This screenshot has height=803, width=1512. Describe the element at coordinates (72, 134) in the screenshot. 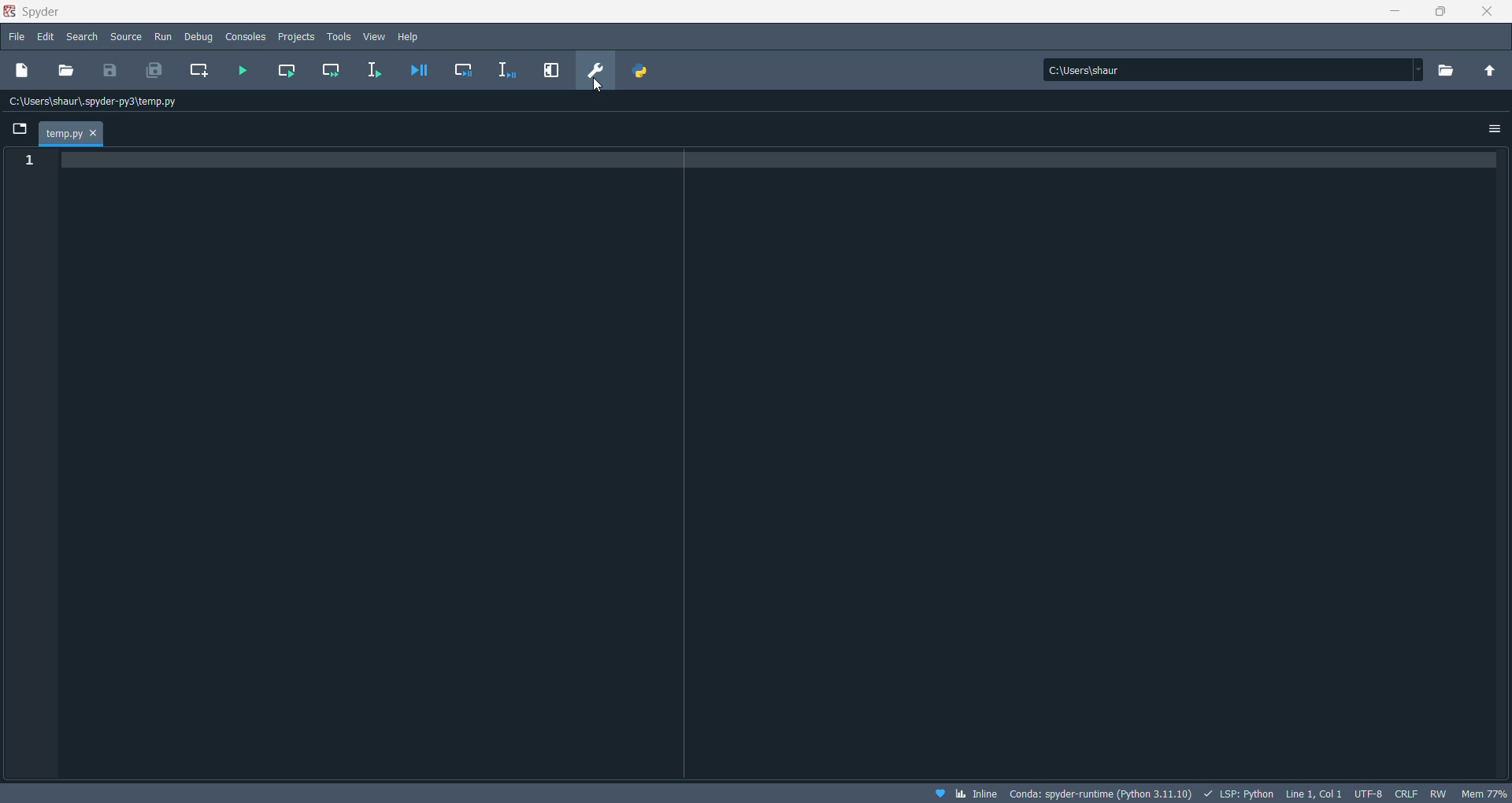

I see `file tab` at that location.